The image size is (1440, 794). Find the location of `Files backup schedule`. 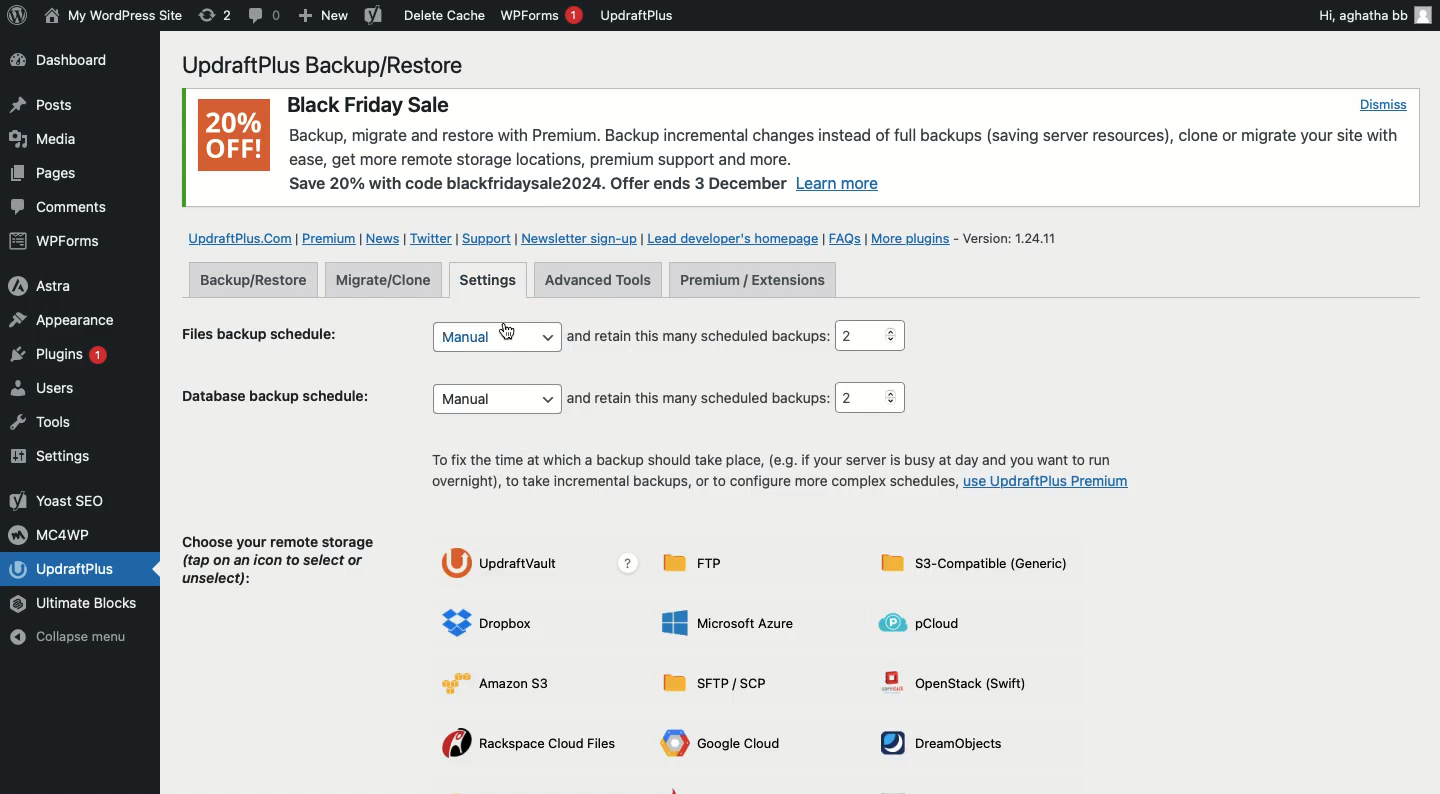

Files backup schedule is located at coordinates (269, 332).